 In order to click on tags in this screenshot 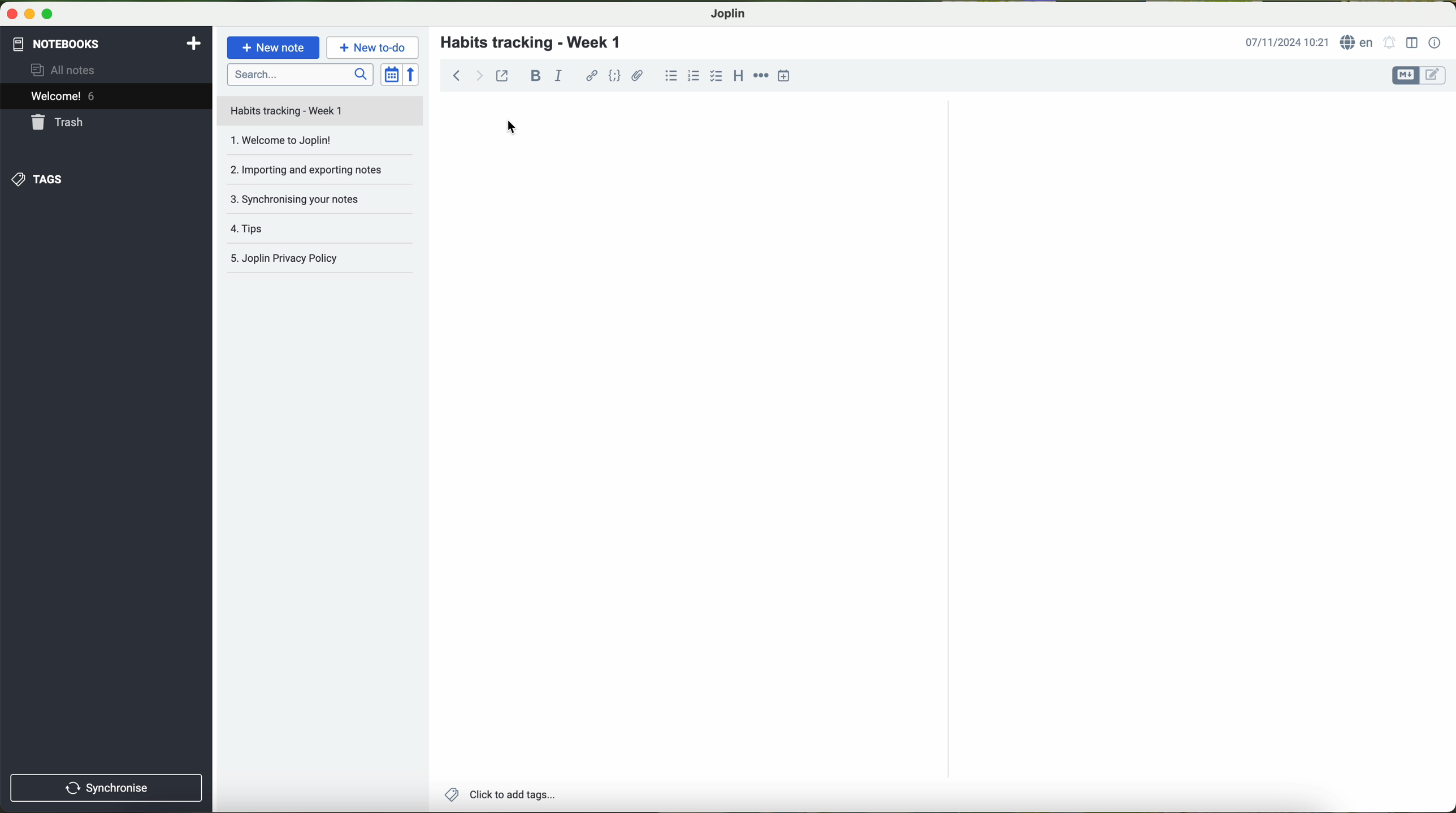, I will do `click(38, 180)`.